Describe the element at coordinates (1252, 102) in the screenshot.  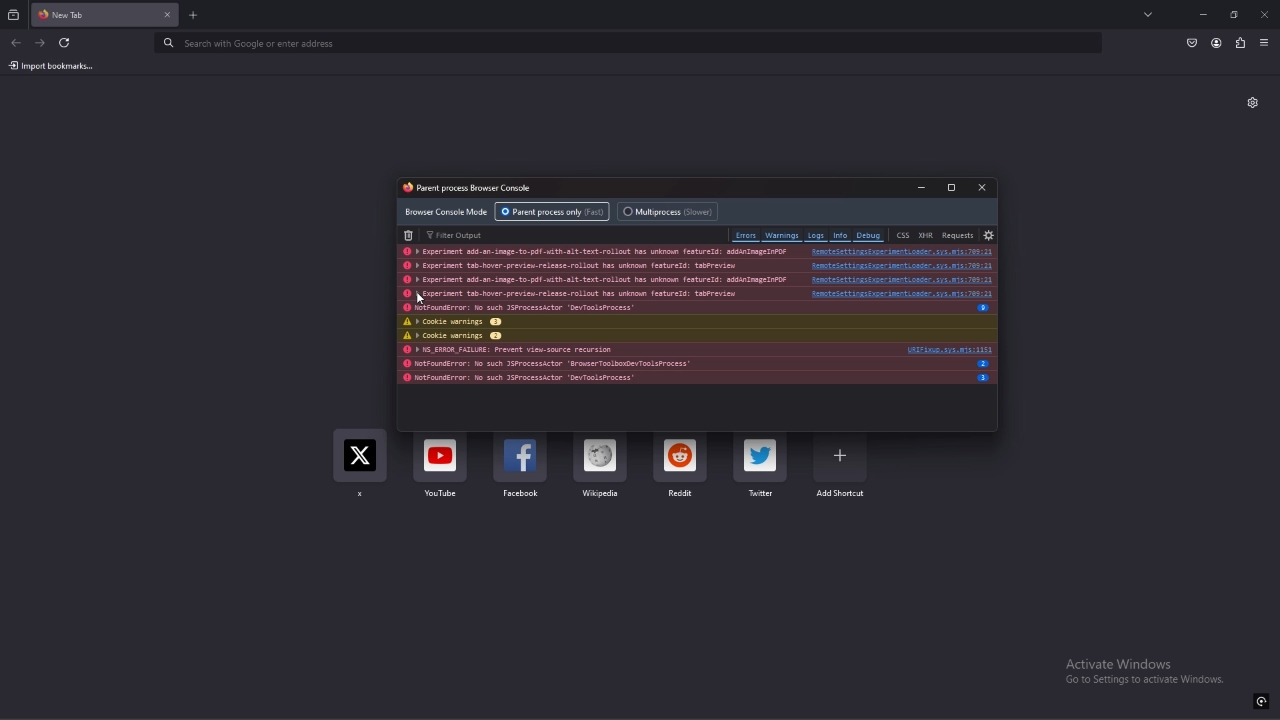
I see `customize` at that location.